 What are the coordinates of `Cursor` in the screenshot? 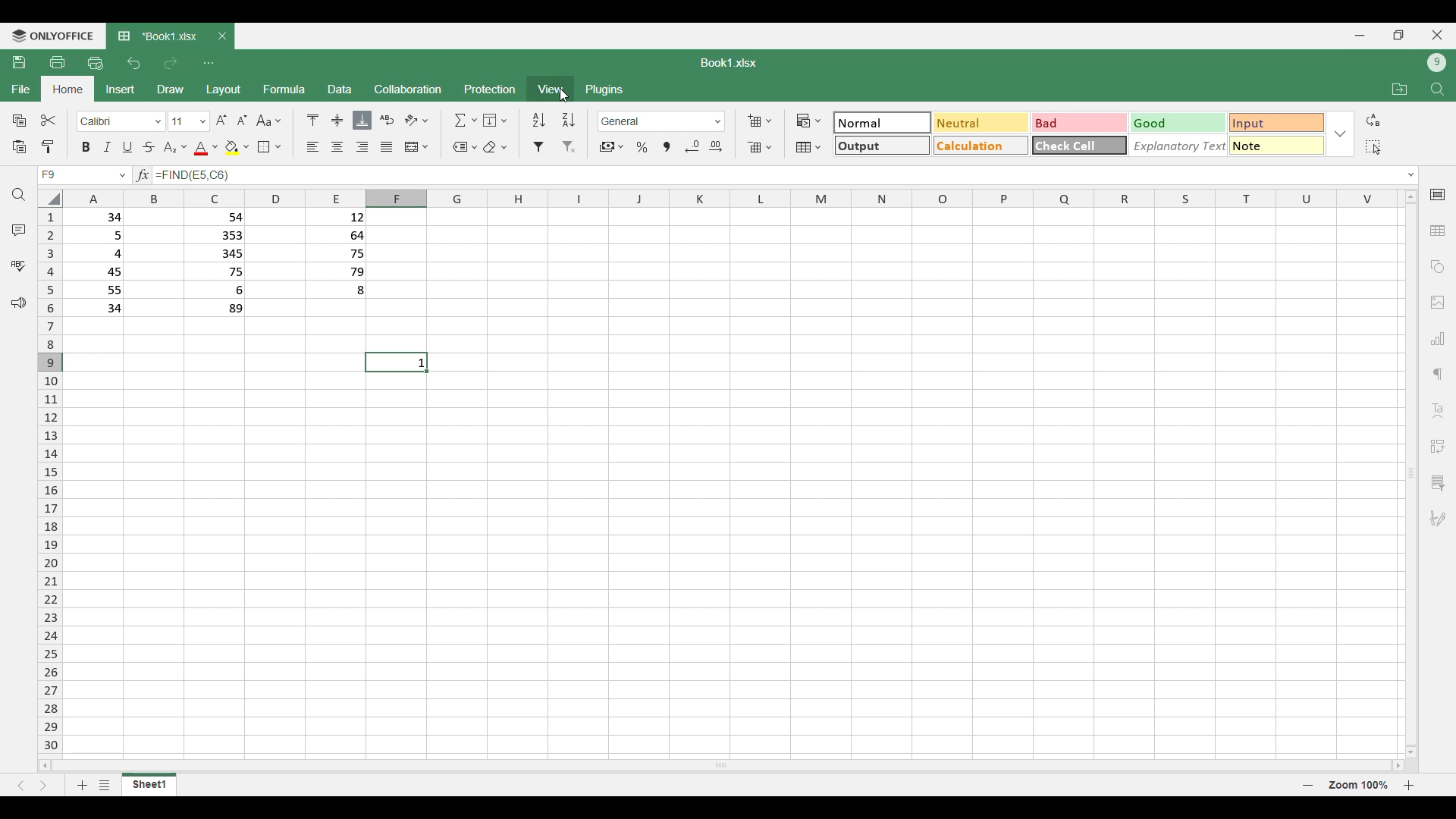 It's located at (562, 96).